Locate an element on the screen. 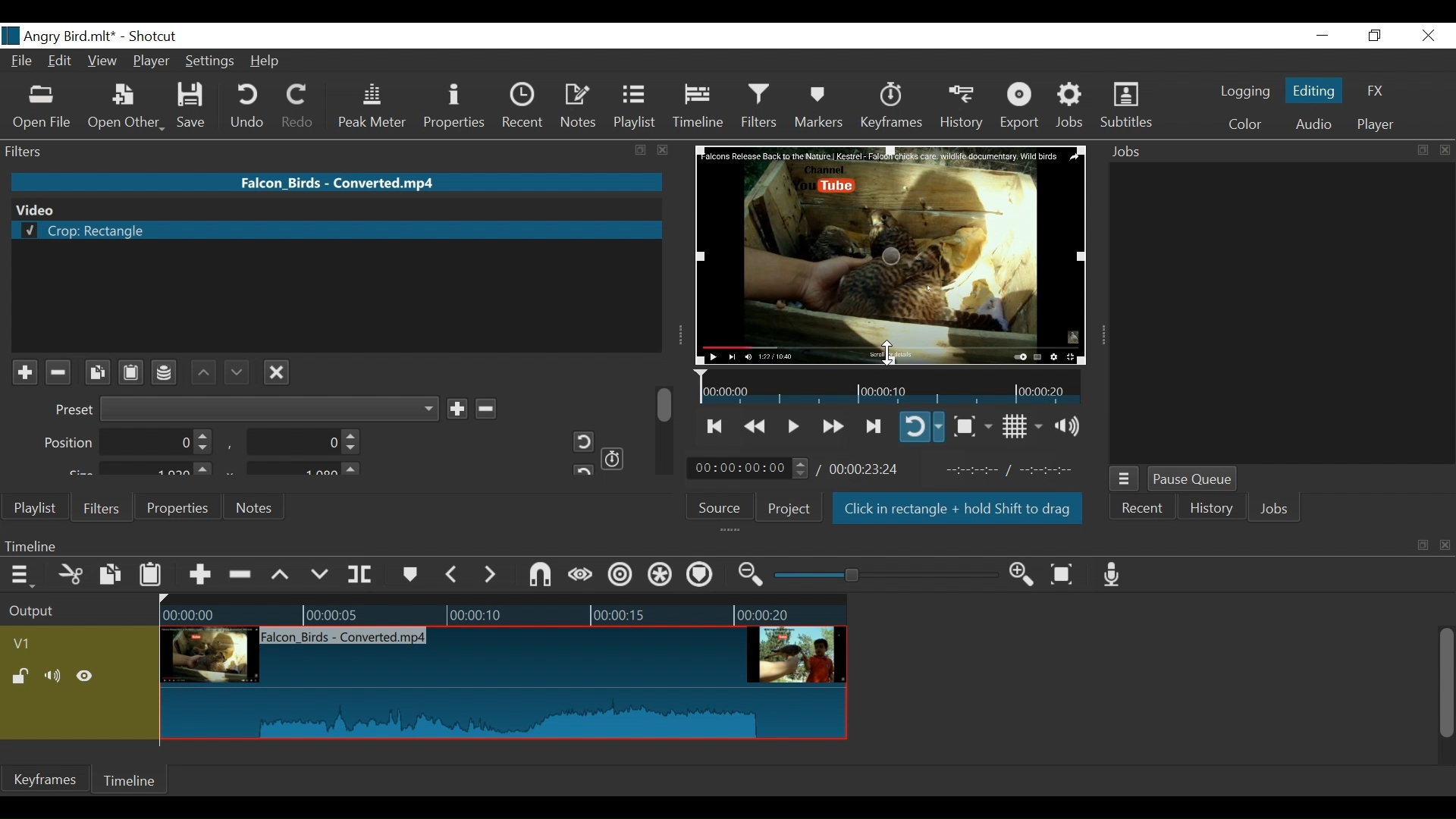 This screenshot has width=1456, height=819. Output is located at coordinates (77, 612).